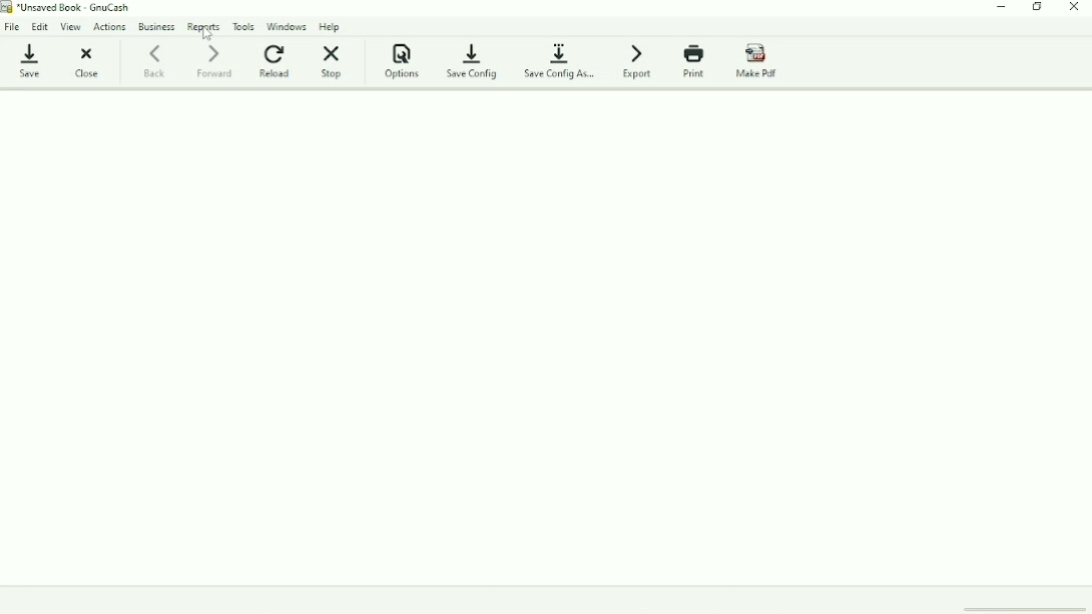 The image size is (1092, 614). Describe the element at coordinates (696, 61) in the screenshot. I see `Print` at that location.